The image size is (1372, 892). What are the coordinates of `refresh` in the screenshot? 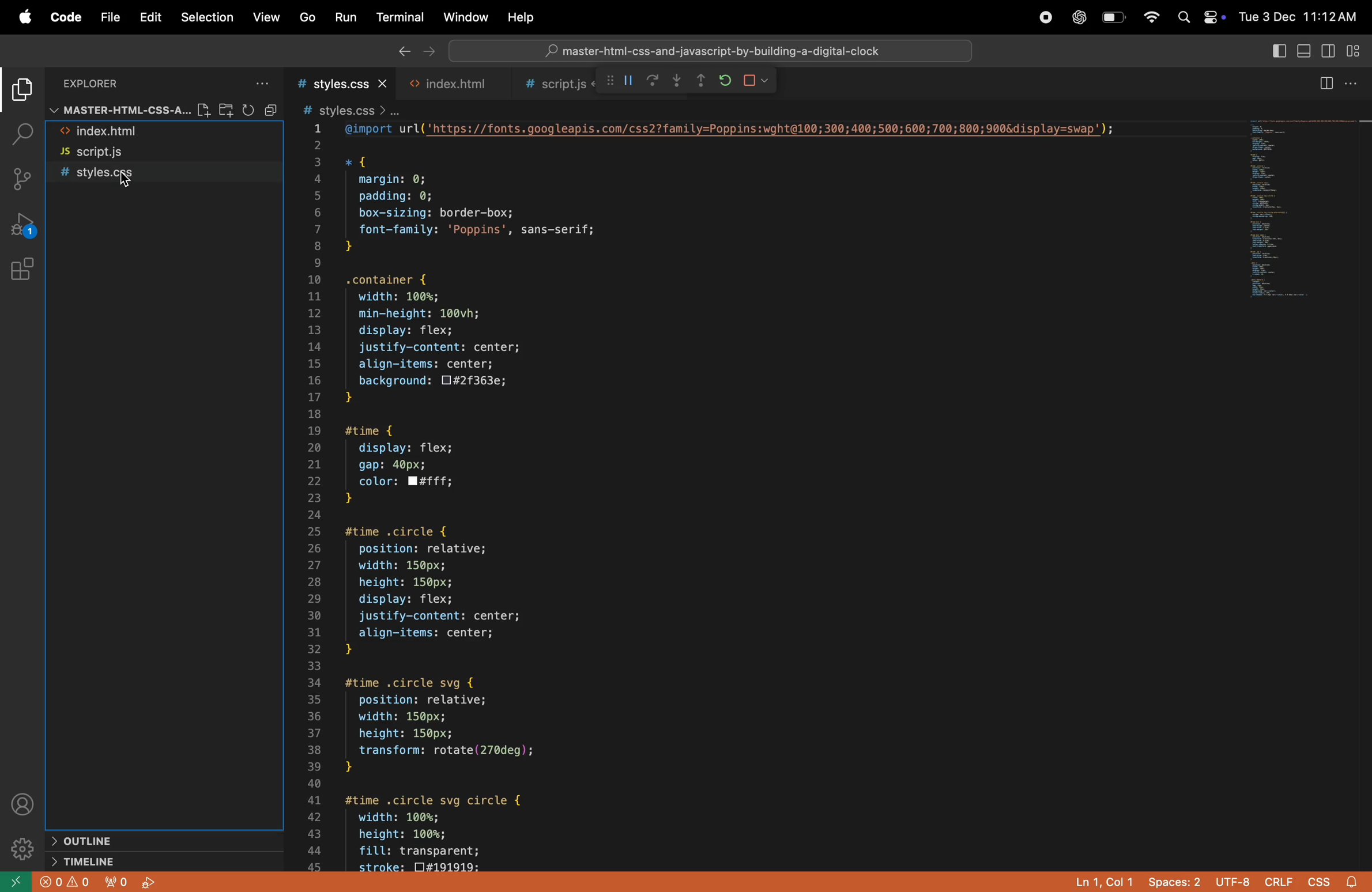 It's located at (721, 81).